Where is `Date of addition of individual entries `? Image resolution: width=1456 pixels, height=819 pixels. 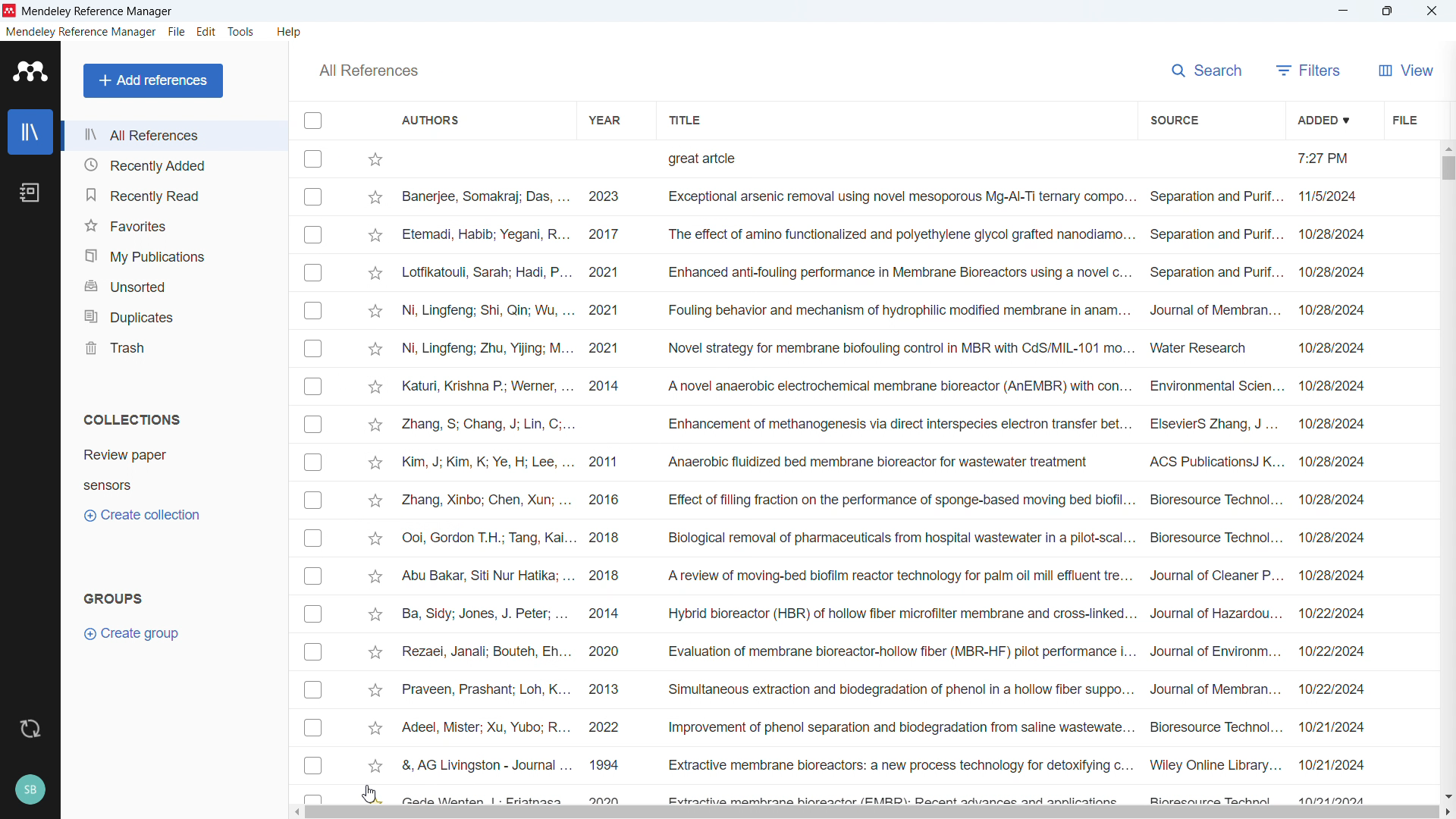
Date of addition of individual entries  is located at coordinates (1332, 493).